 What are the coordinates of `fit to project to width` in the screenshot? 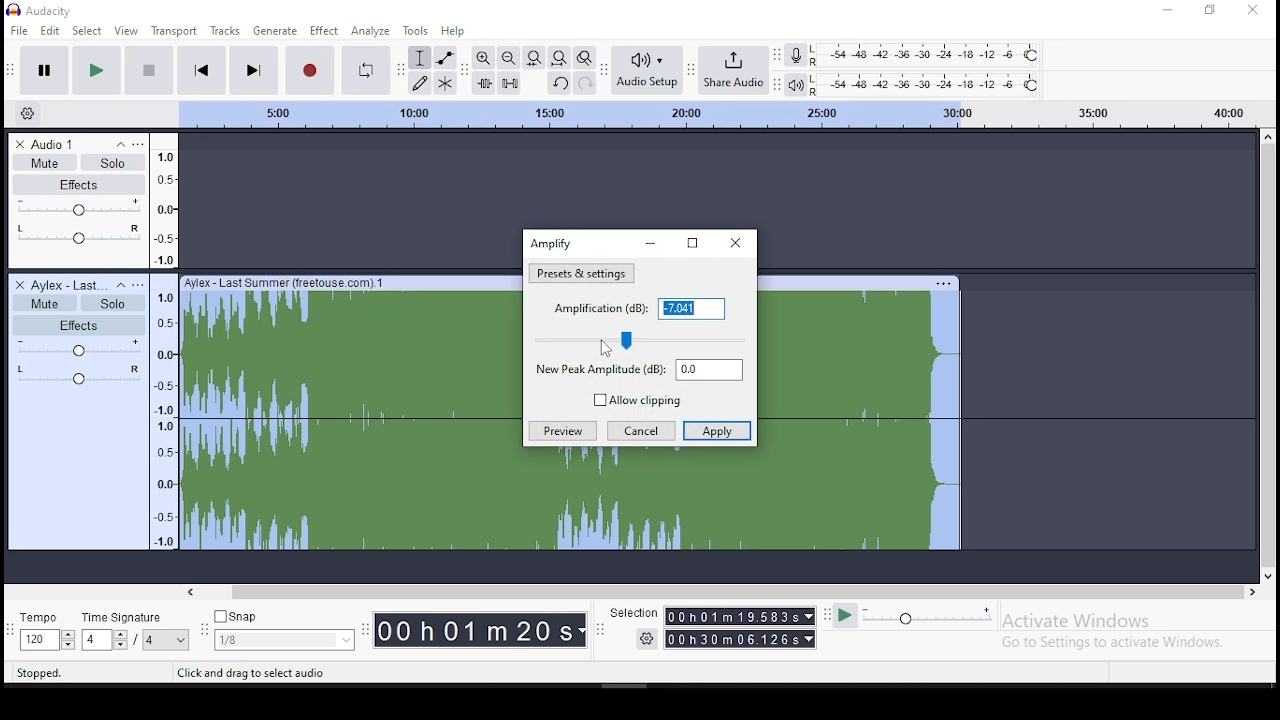 It's located at (559, 57).